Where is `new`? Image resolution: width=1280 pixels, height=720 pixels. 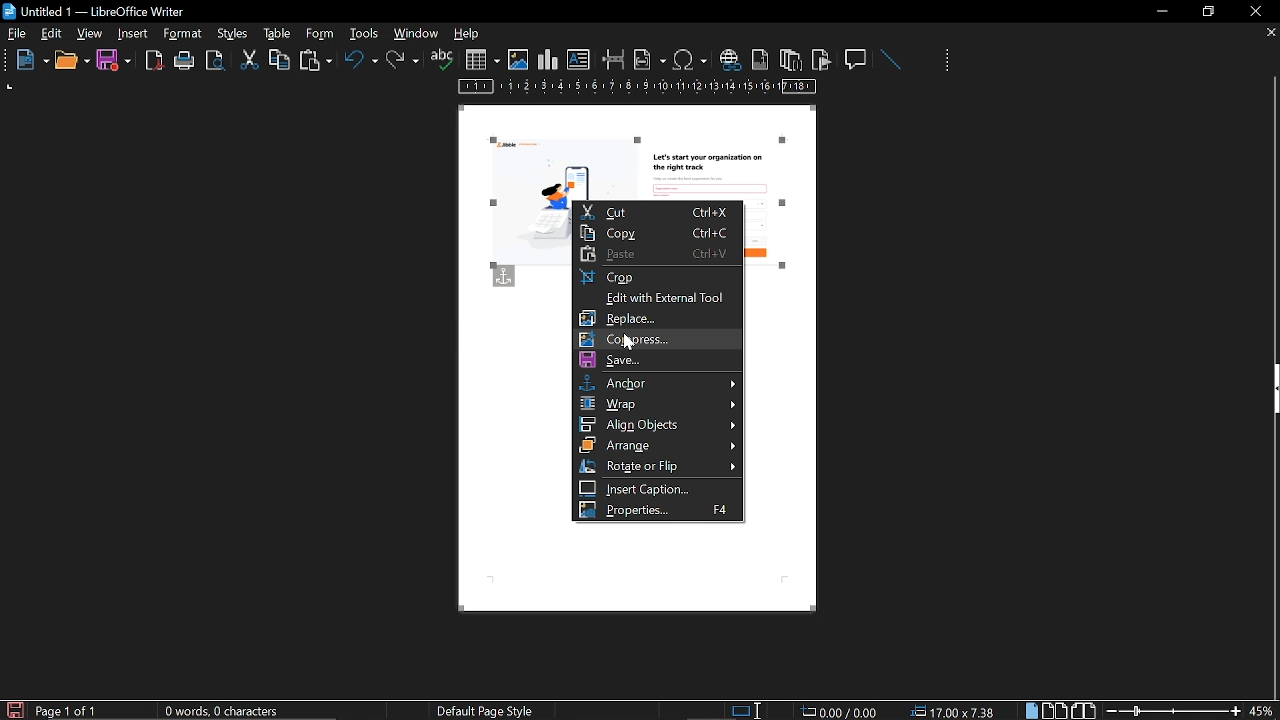
new is located at coordinates (27, 61).